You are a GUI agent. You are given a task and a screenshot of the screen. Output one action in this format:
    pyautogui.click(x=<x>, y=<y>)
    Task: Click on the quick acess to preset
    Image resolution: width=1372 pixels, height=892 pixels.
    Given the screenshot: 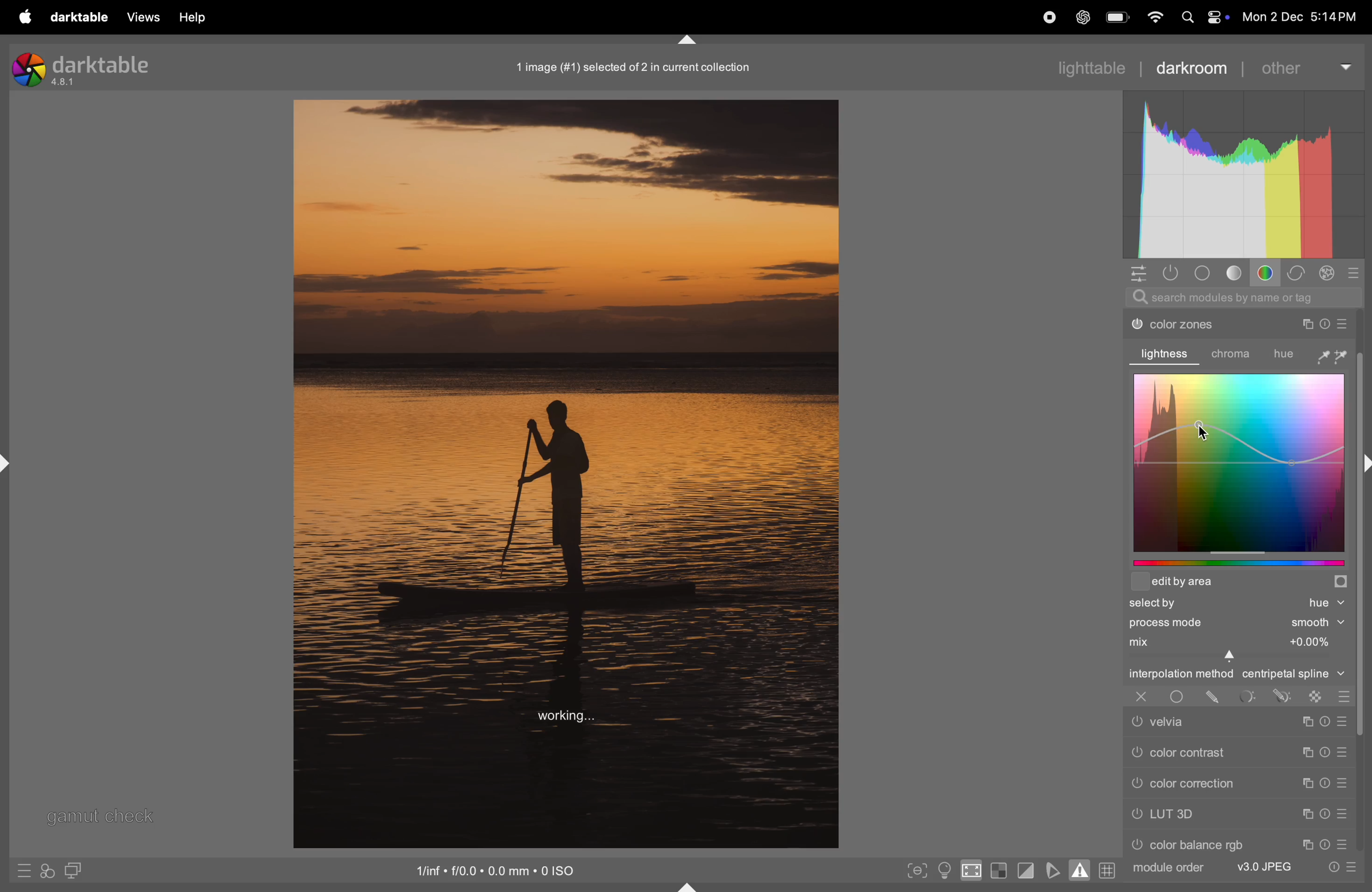 What is the action you would take?
    pyautogui.click(x=1338, y=868)
    